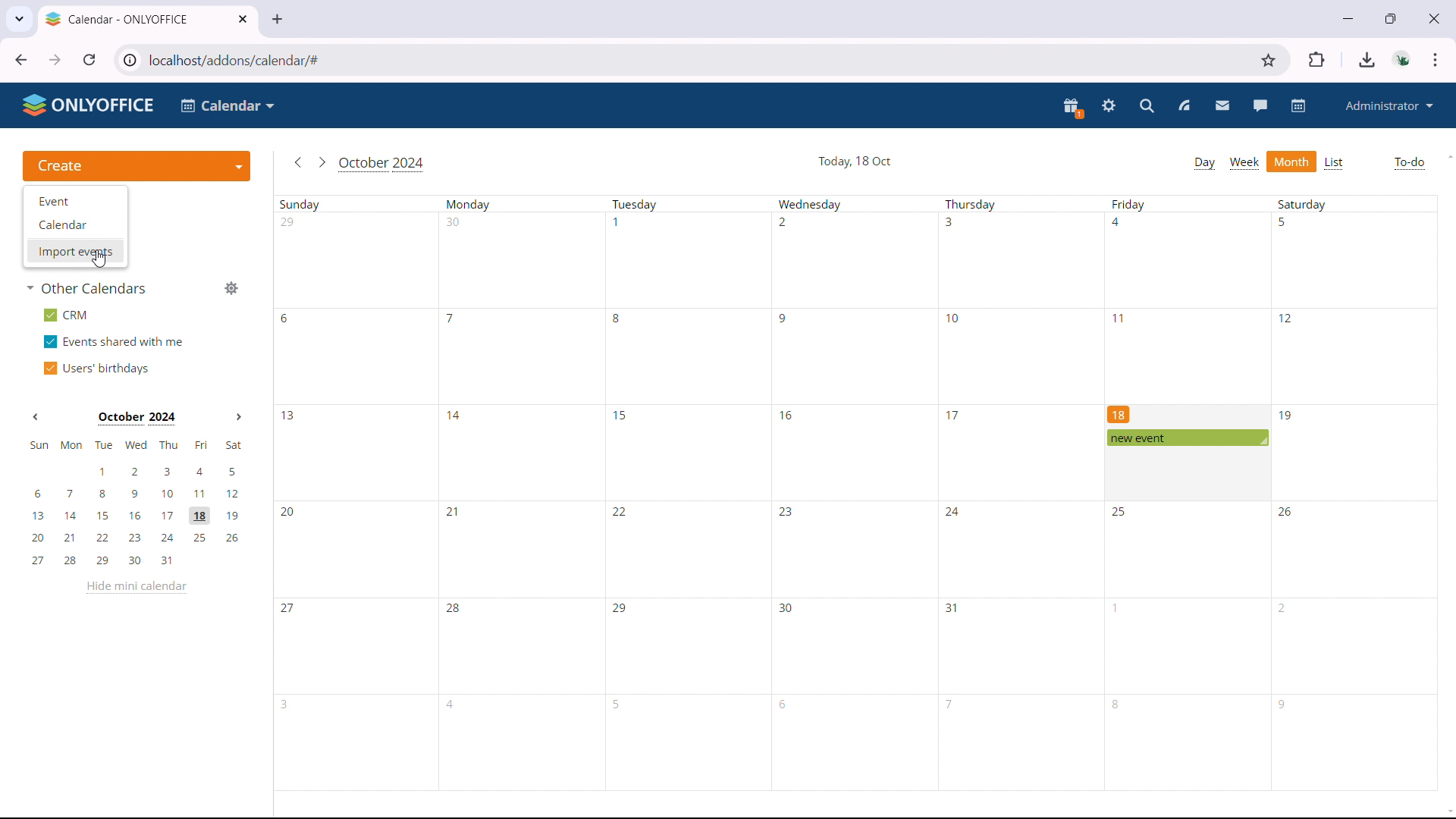 This screenshot has height=819, width=1456. I want to click on 13, so click(289, 416).